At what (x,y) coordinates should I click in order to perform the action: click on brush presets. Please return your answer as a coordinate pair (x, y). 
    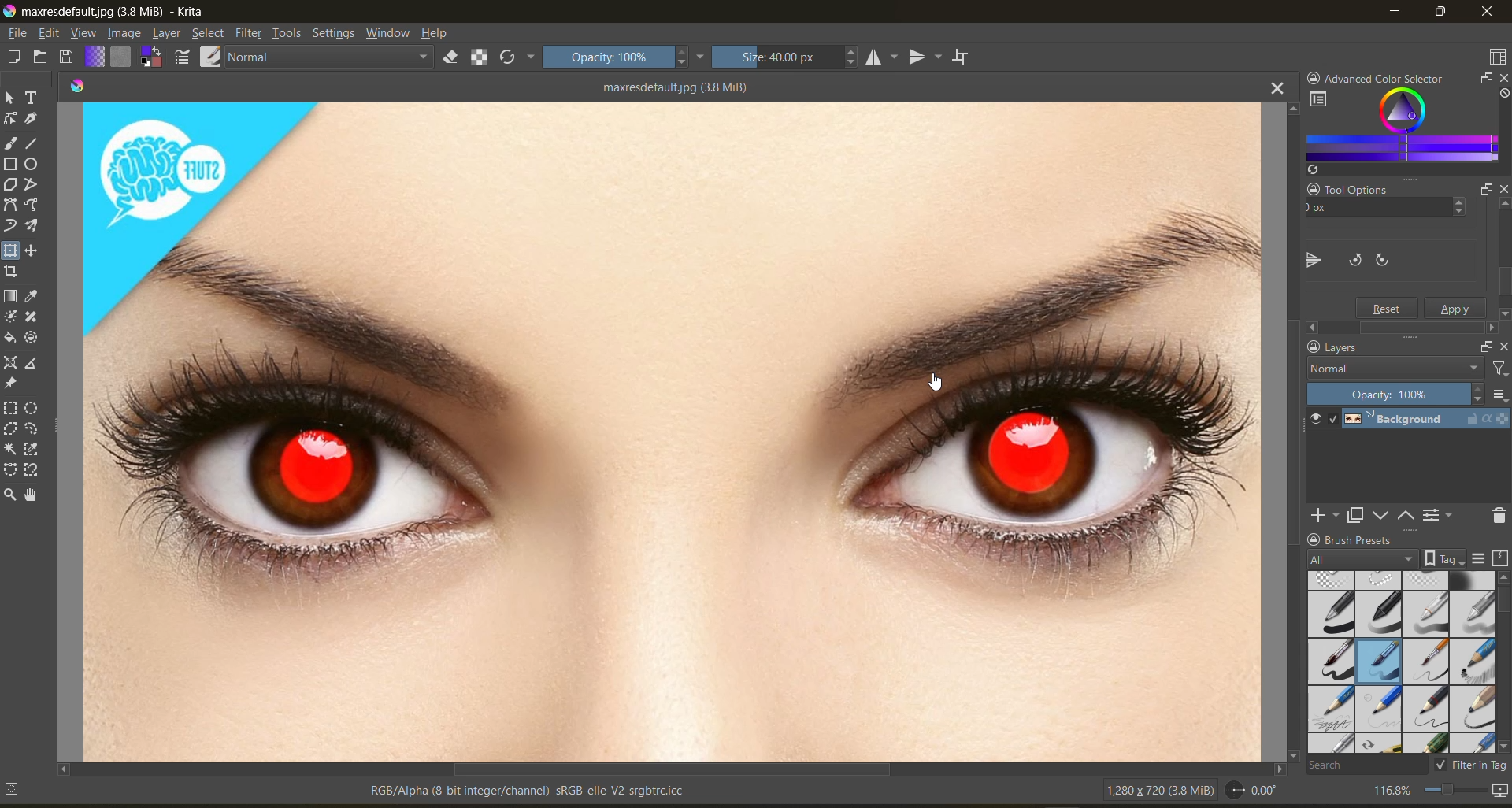
    Looking at the image, I should click on (1401, 660).